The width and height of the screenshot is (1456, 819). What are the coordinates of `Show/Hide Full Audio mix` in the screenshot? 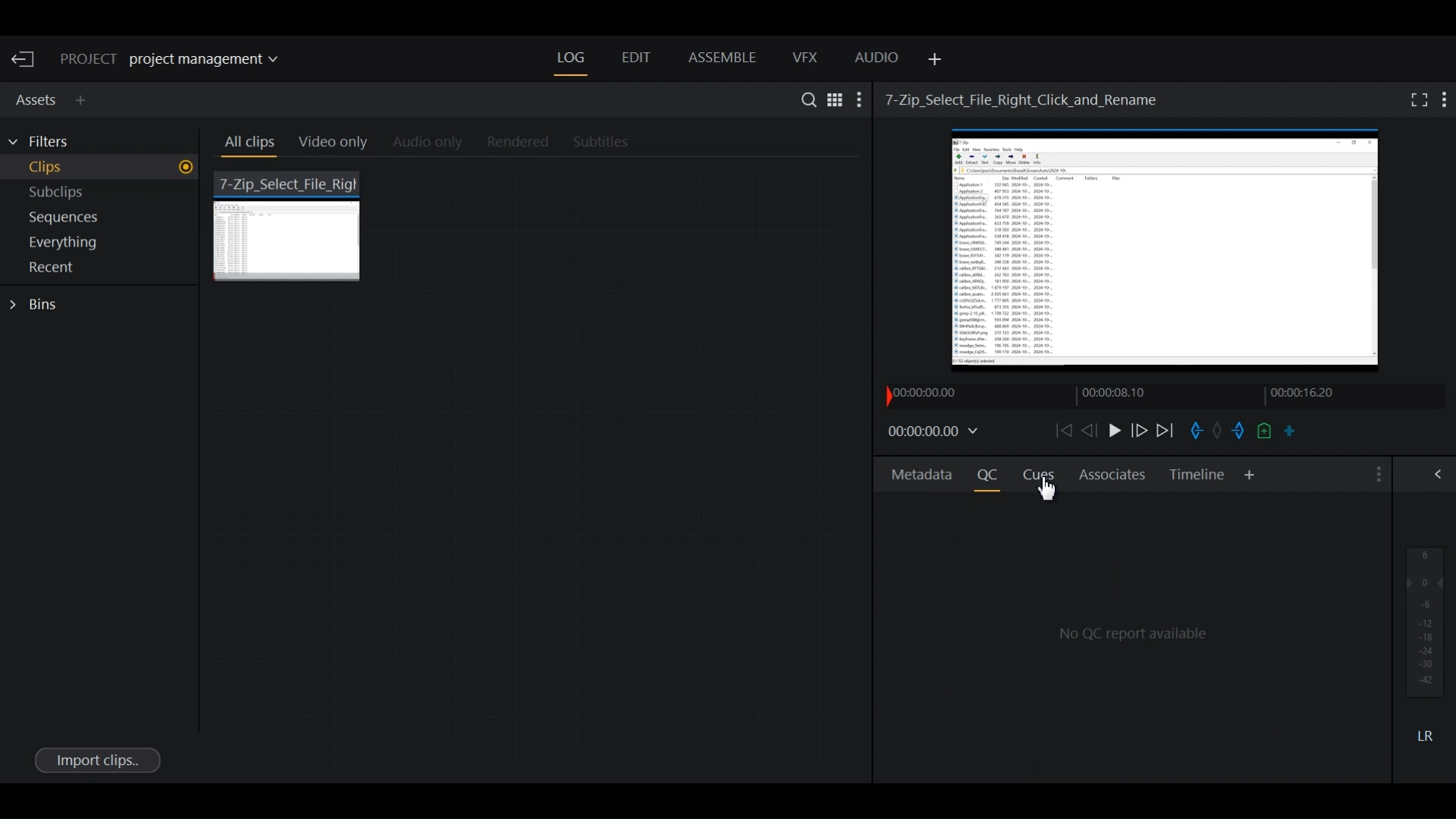 It's located at (1441, 473).